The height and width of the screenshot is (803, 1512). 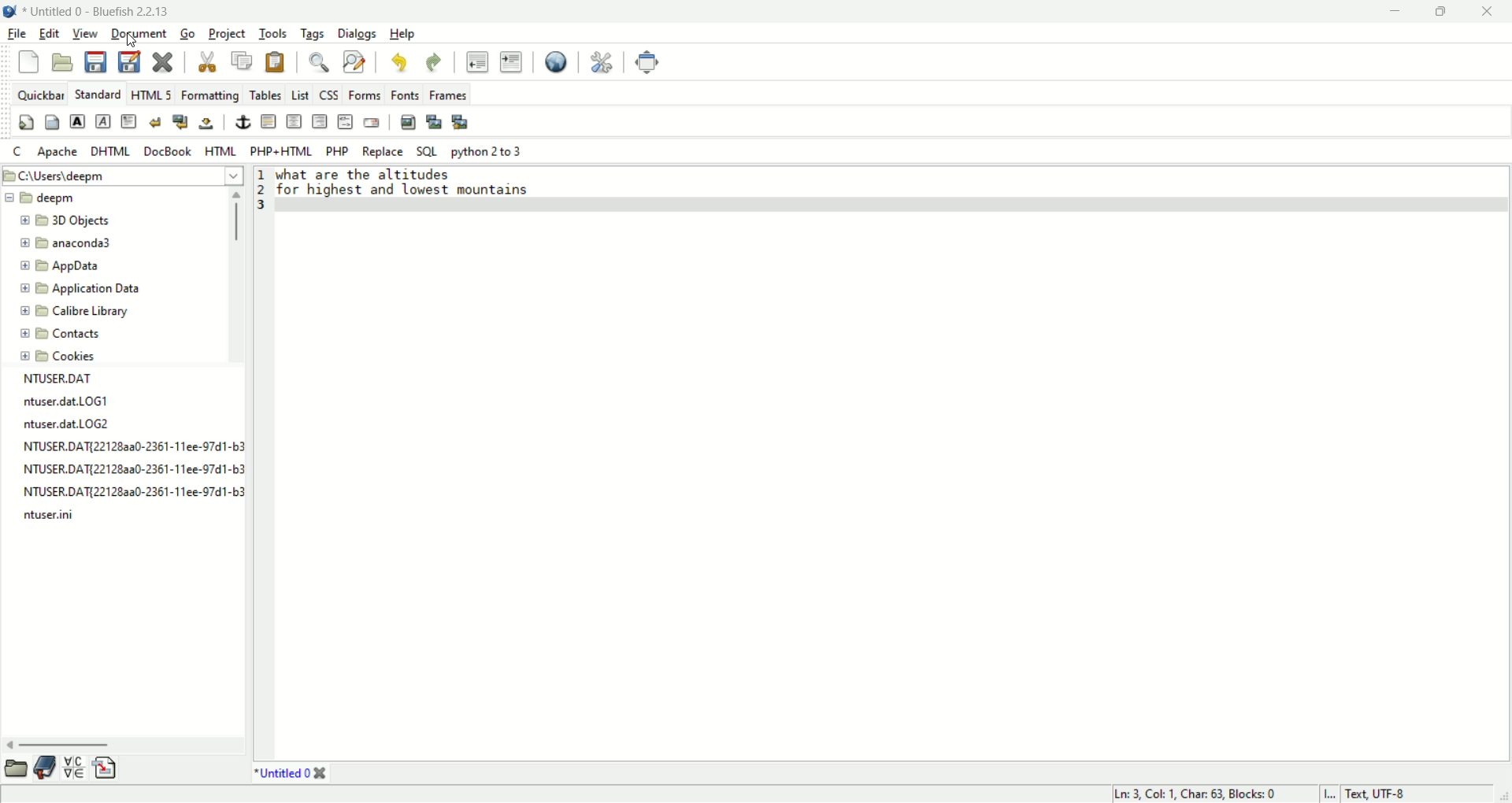 I want to click on SQL, so click(x=427, y=150).